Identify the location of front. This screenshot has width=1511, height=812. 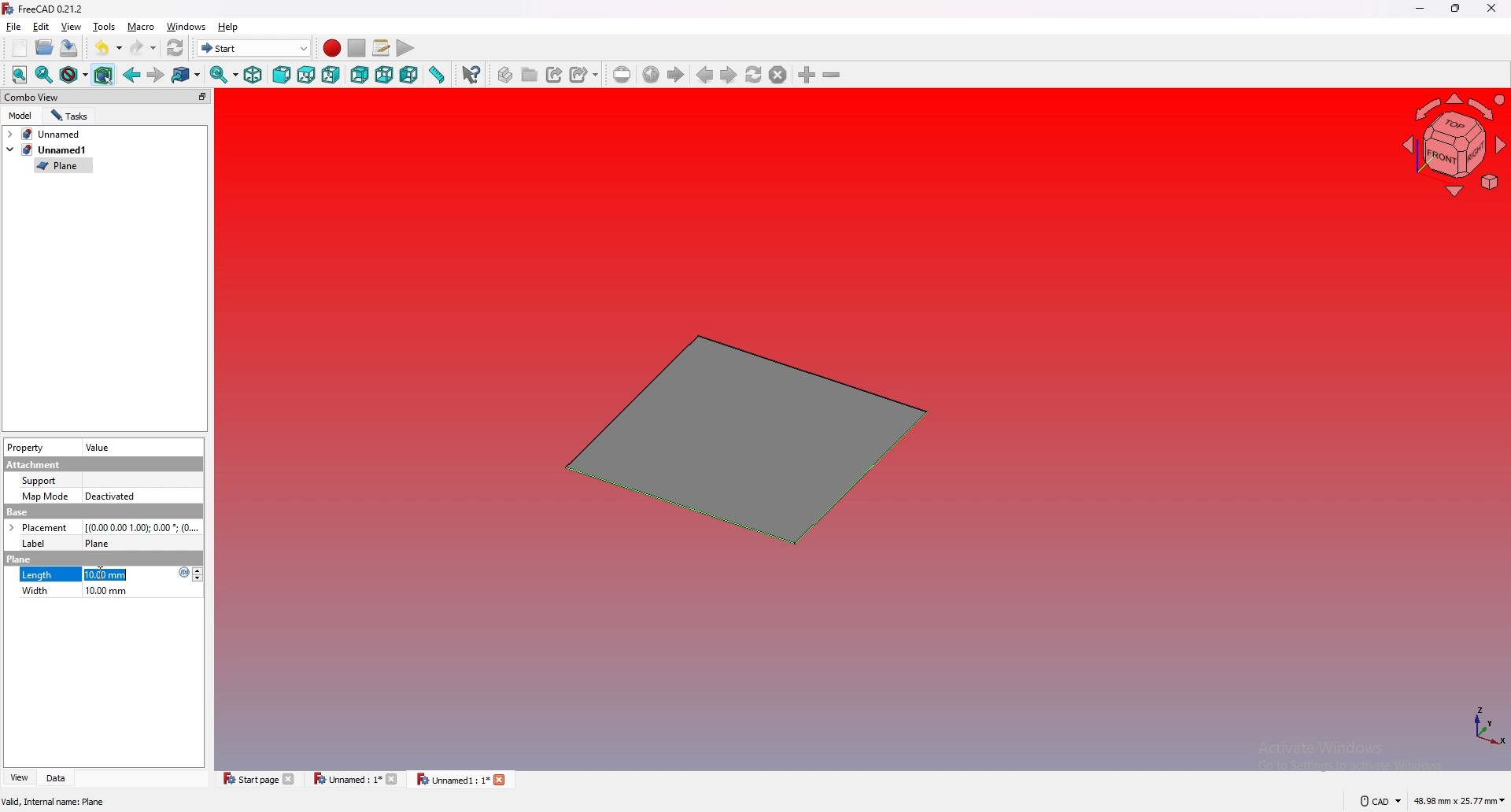
(282, 75).